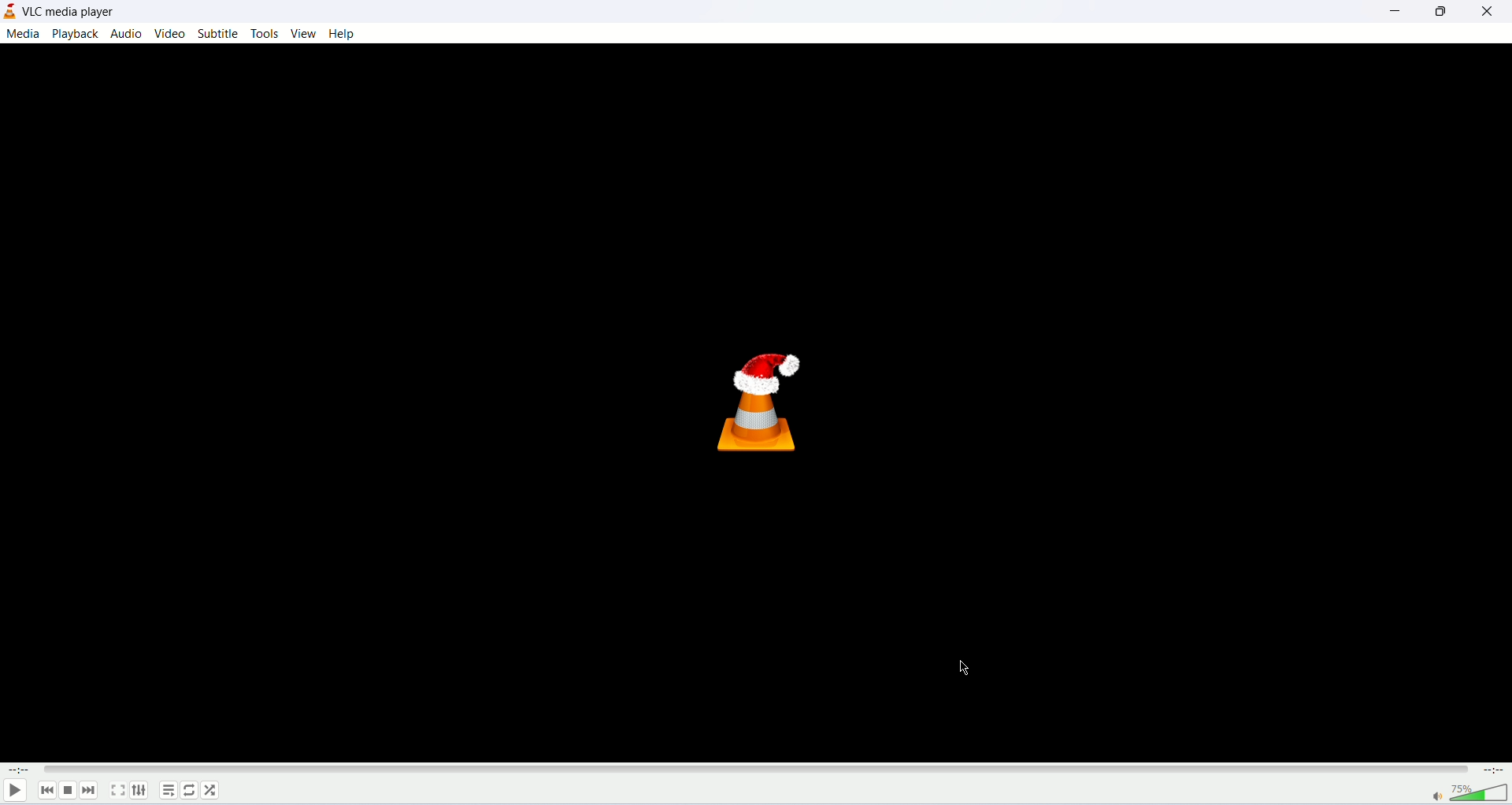 The width and height of the screenshot is (1512, 805). I want to click on extended settings, so click(143, 791).